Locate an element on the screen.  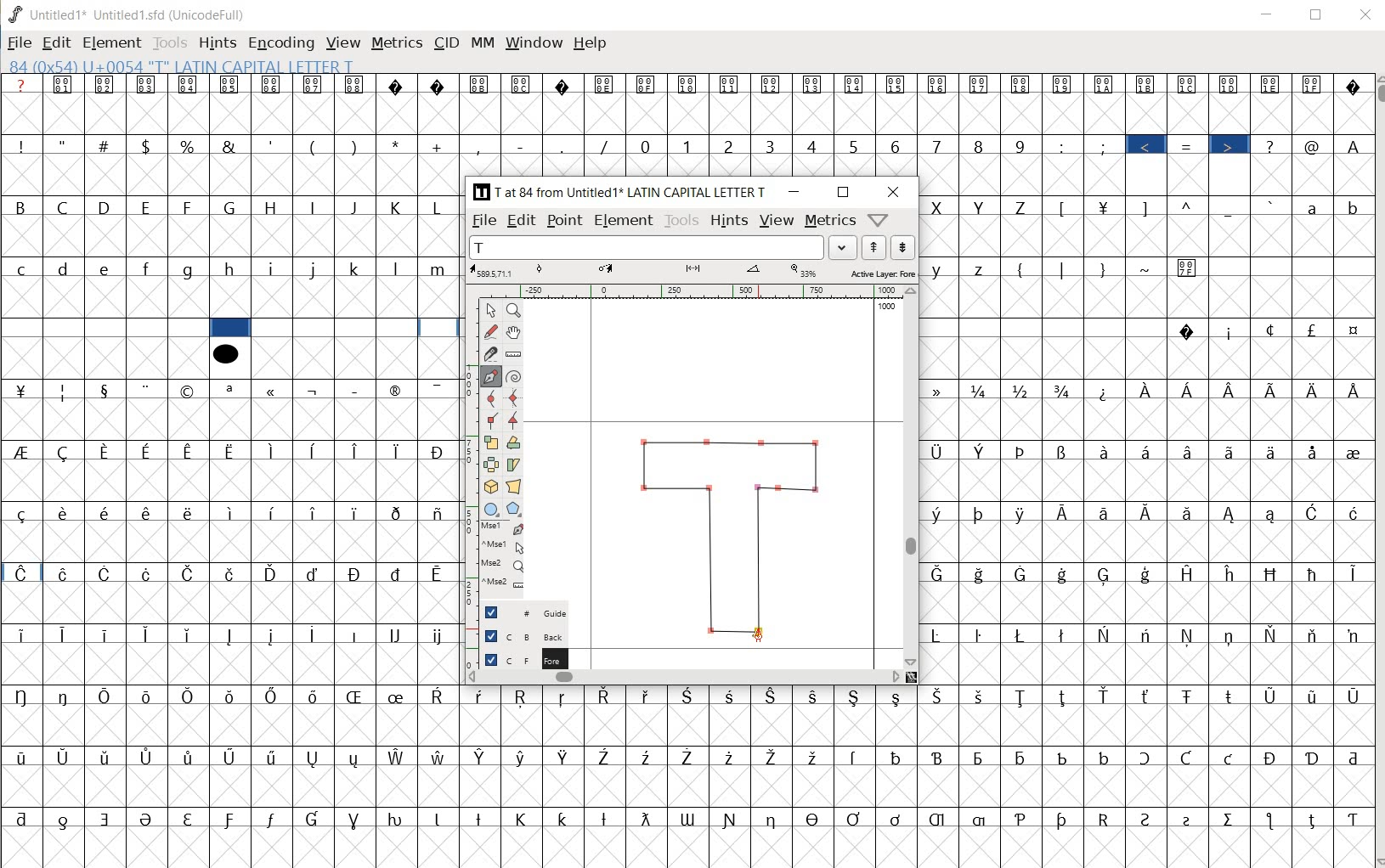
Mouse left button is located at coordinates (504, 529).